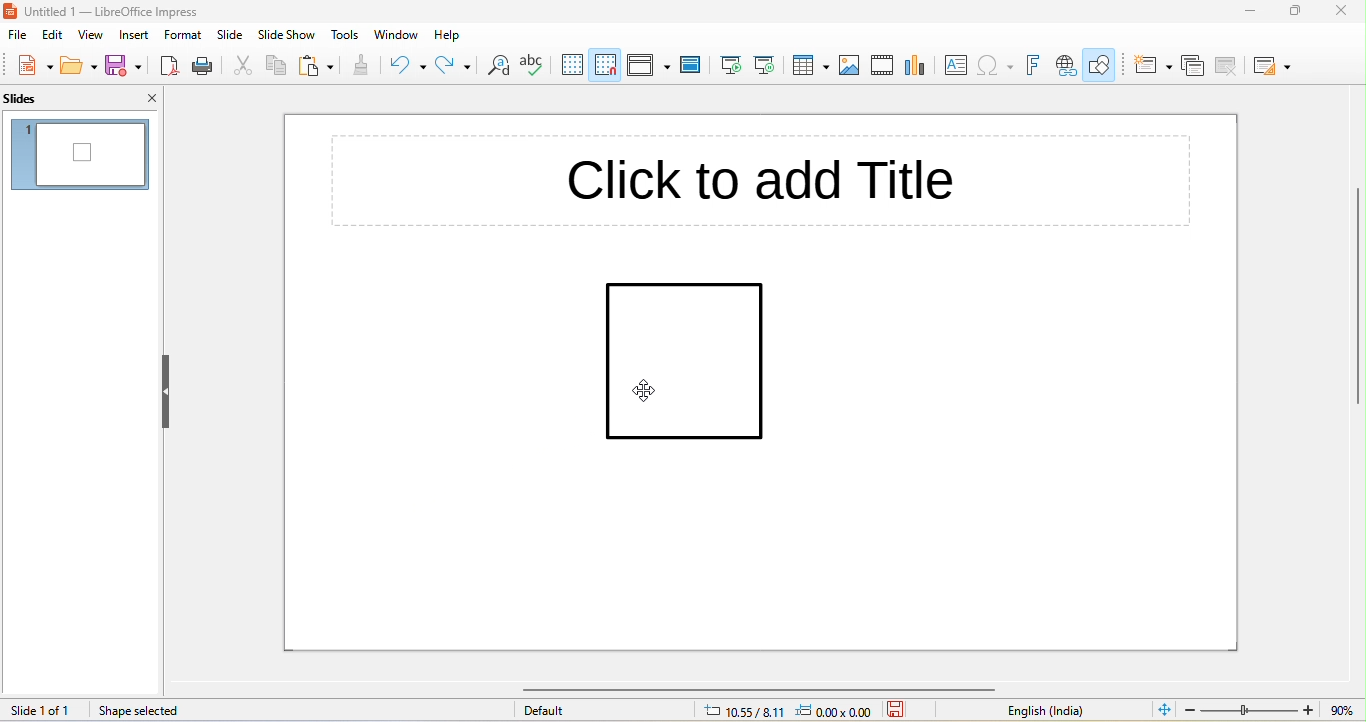 The width and height of the screenshot is (1366, 722). Describe the element at coordinates (790, 712) in the screenshot. I see `cursor position ` at that location.